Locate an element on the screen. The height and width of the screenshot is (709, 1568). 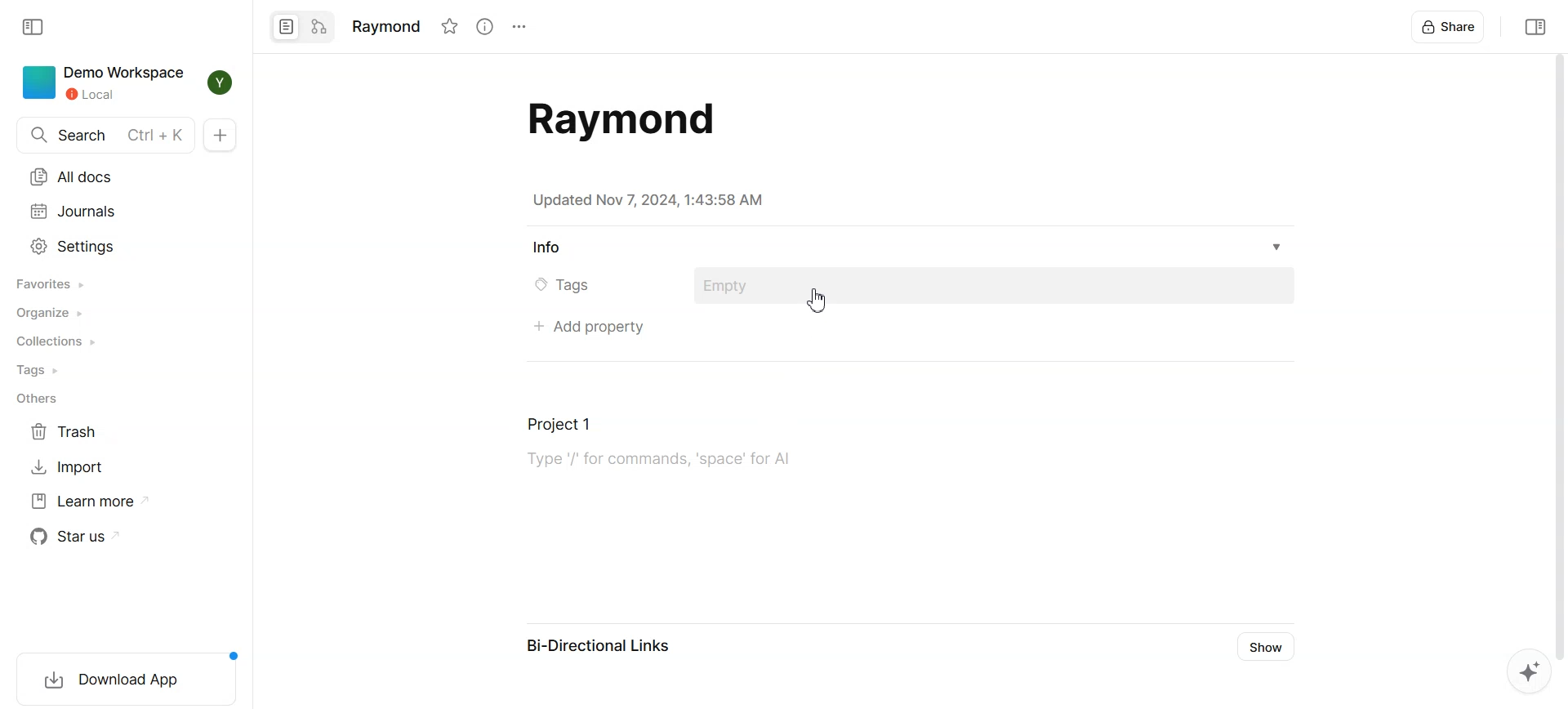
Raymond is located at coordinates (385, 25).